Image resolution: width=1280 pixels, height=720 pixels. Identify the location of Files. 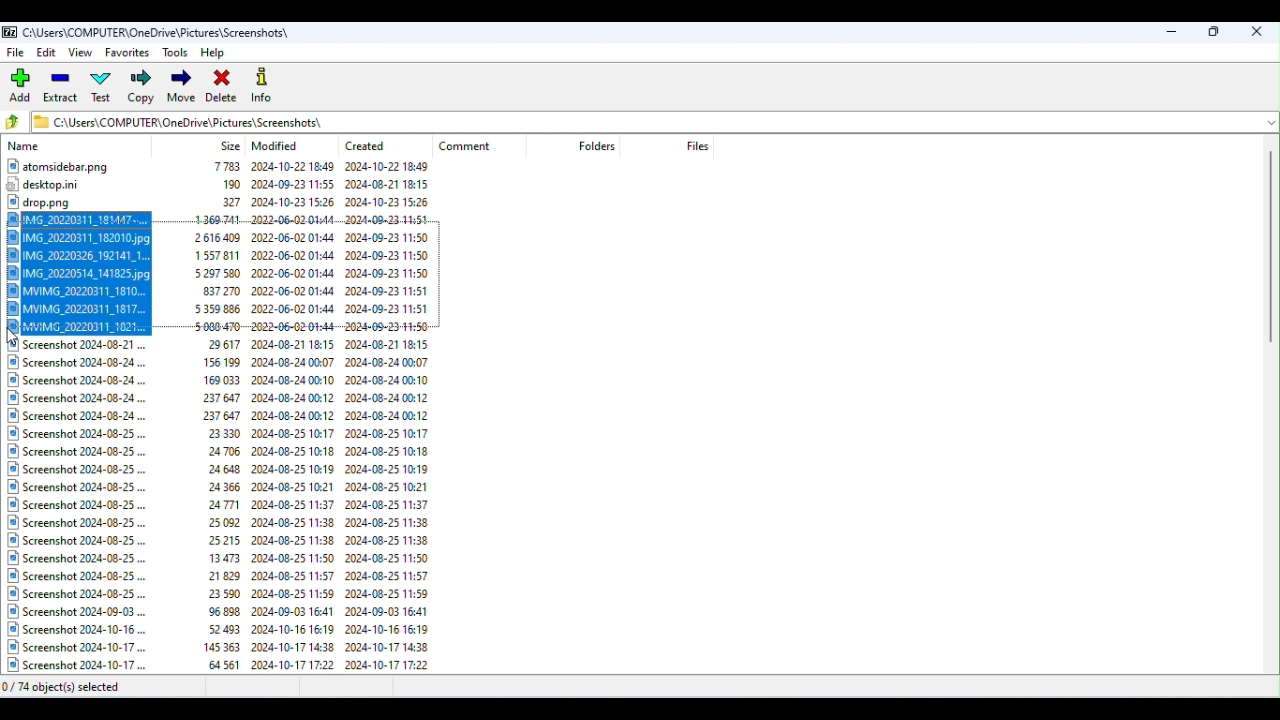
(697, 145).